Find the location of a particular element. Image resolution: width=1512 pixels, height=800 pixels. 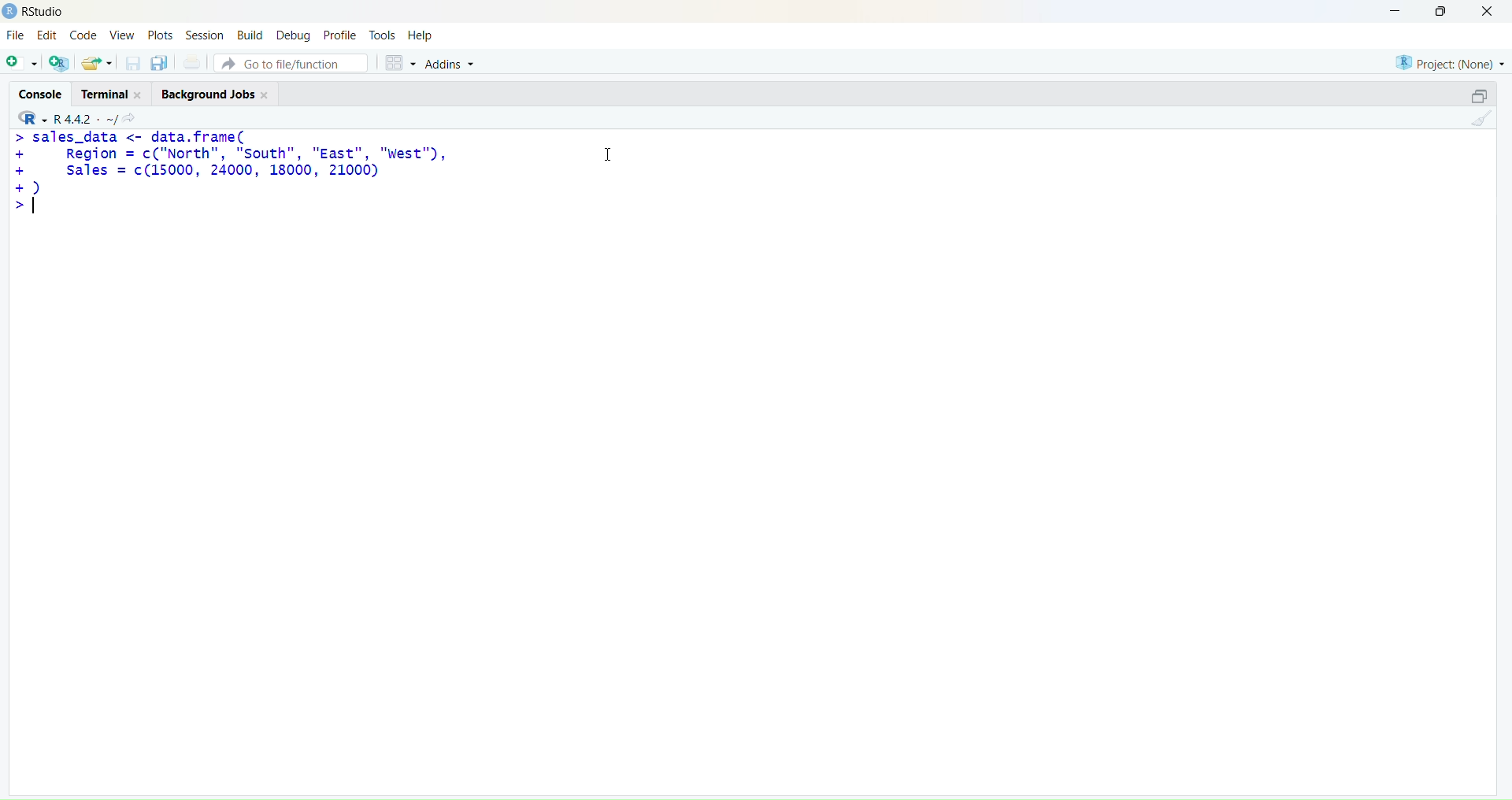

Project: (None) is located at coordinates (1450, 61).